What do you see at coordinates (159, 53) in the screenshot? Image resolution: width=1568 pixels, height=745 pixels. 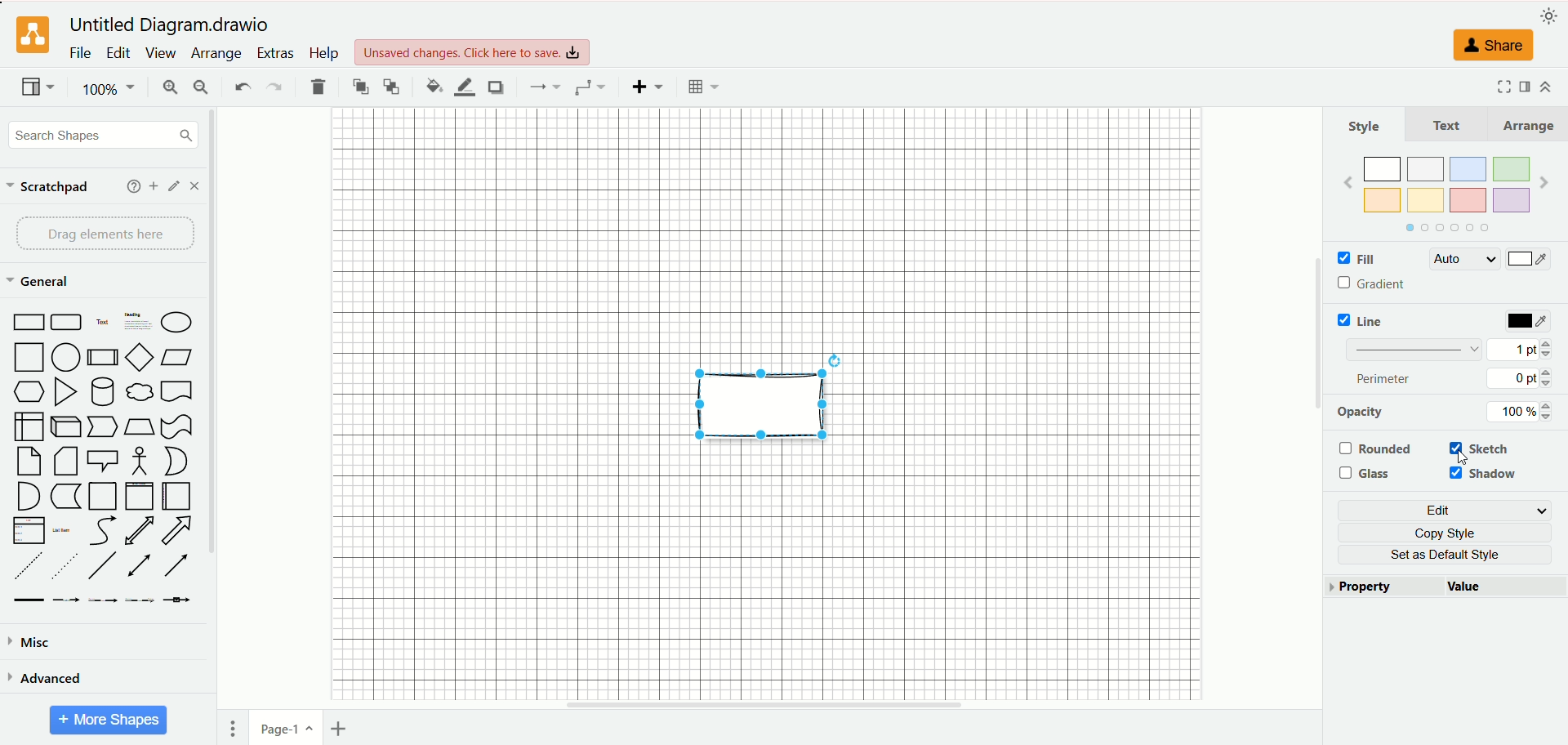 I see `view` at bounding box center [159, 53].